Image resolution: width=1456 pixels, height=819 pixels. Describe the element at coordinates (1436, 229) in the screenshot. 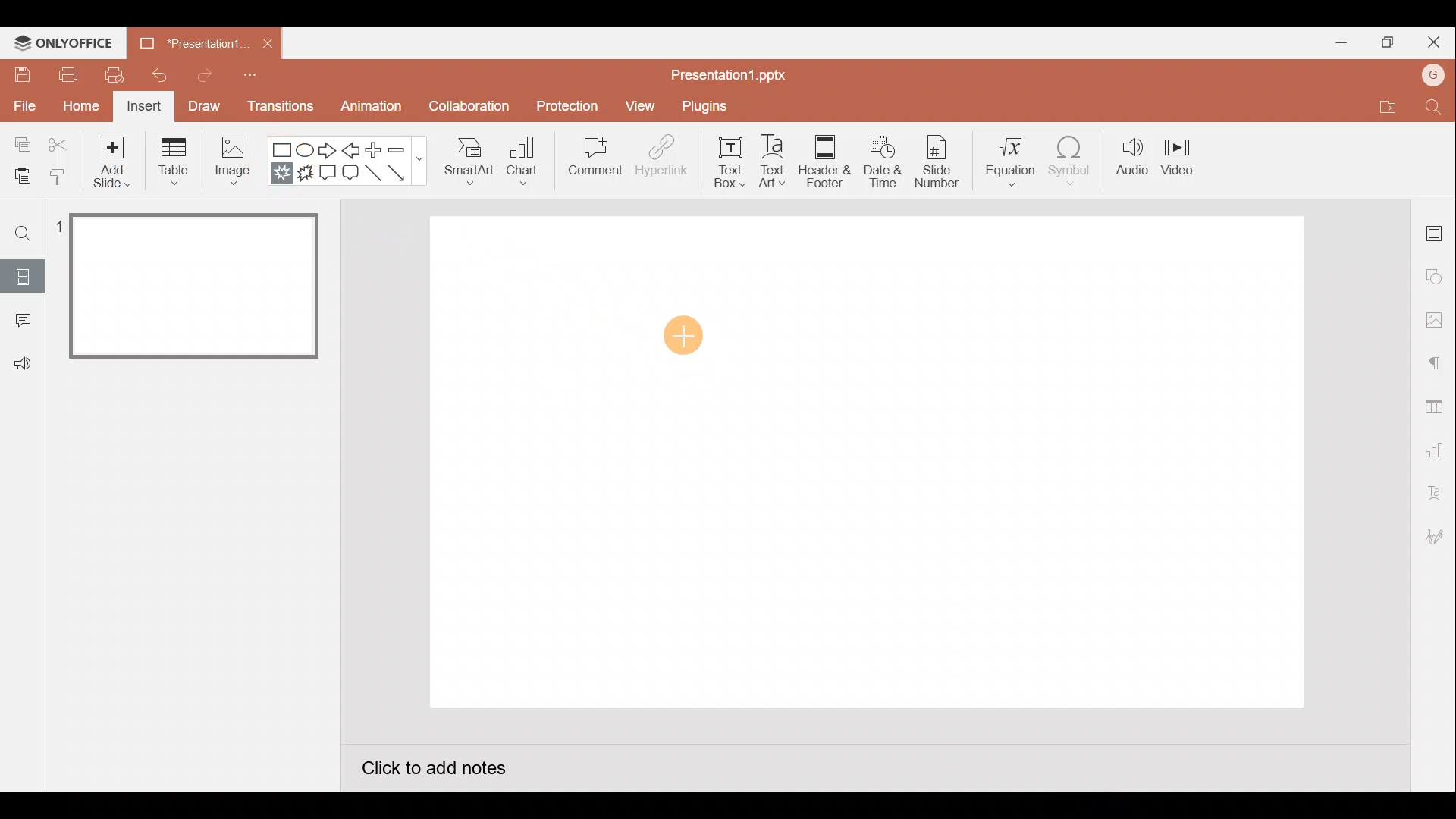

I see `Slide settings` at that location.